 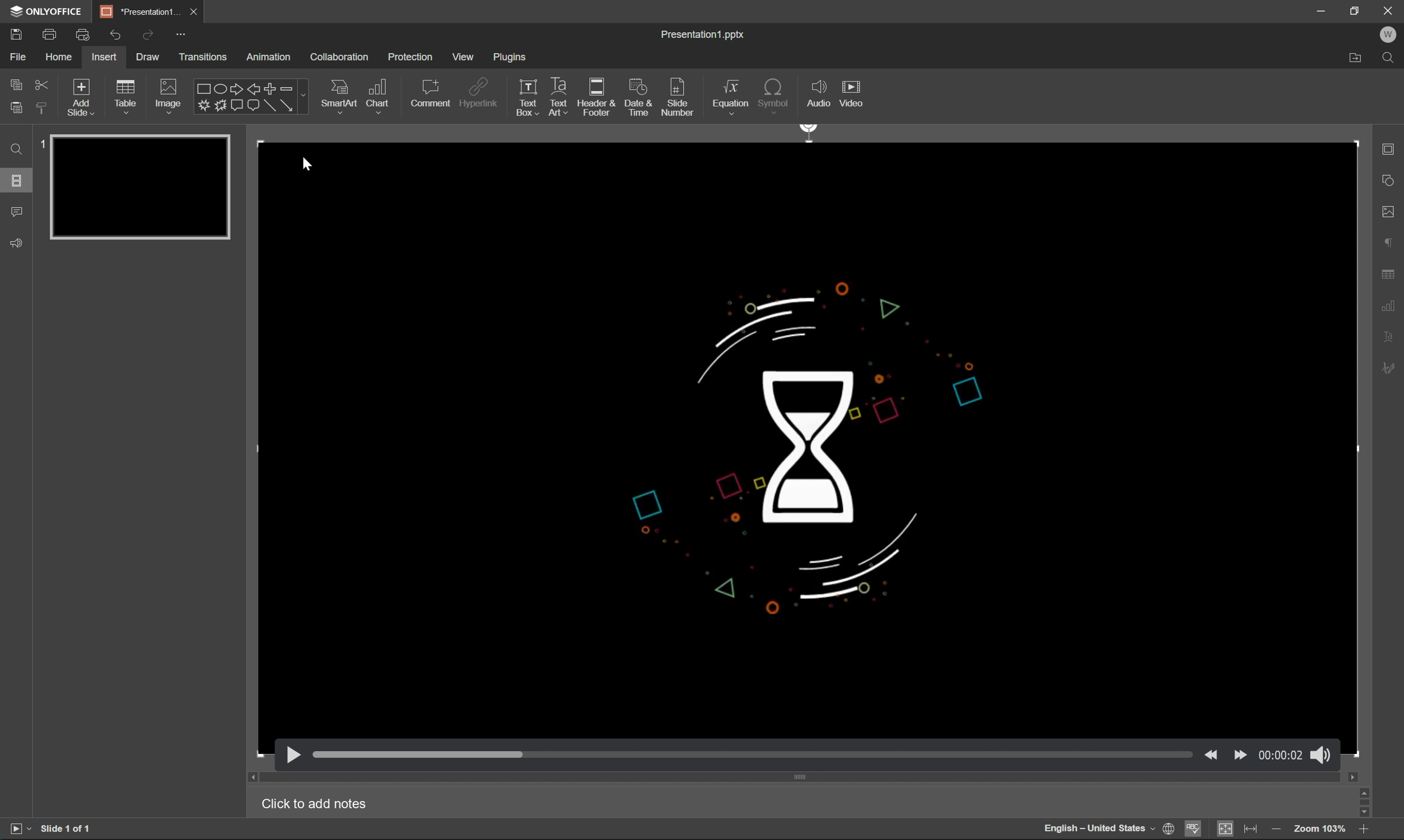 I want to click on chart, so click(x=378, y=96).